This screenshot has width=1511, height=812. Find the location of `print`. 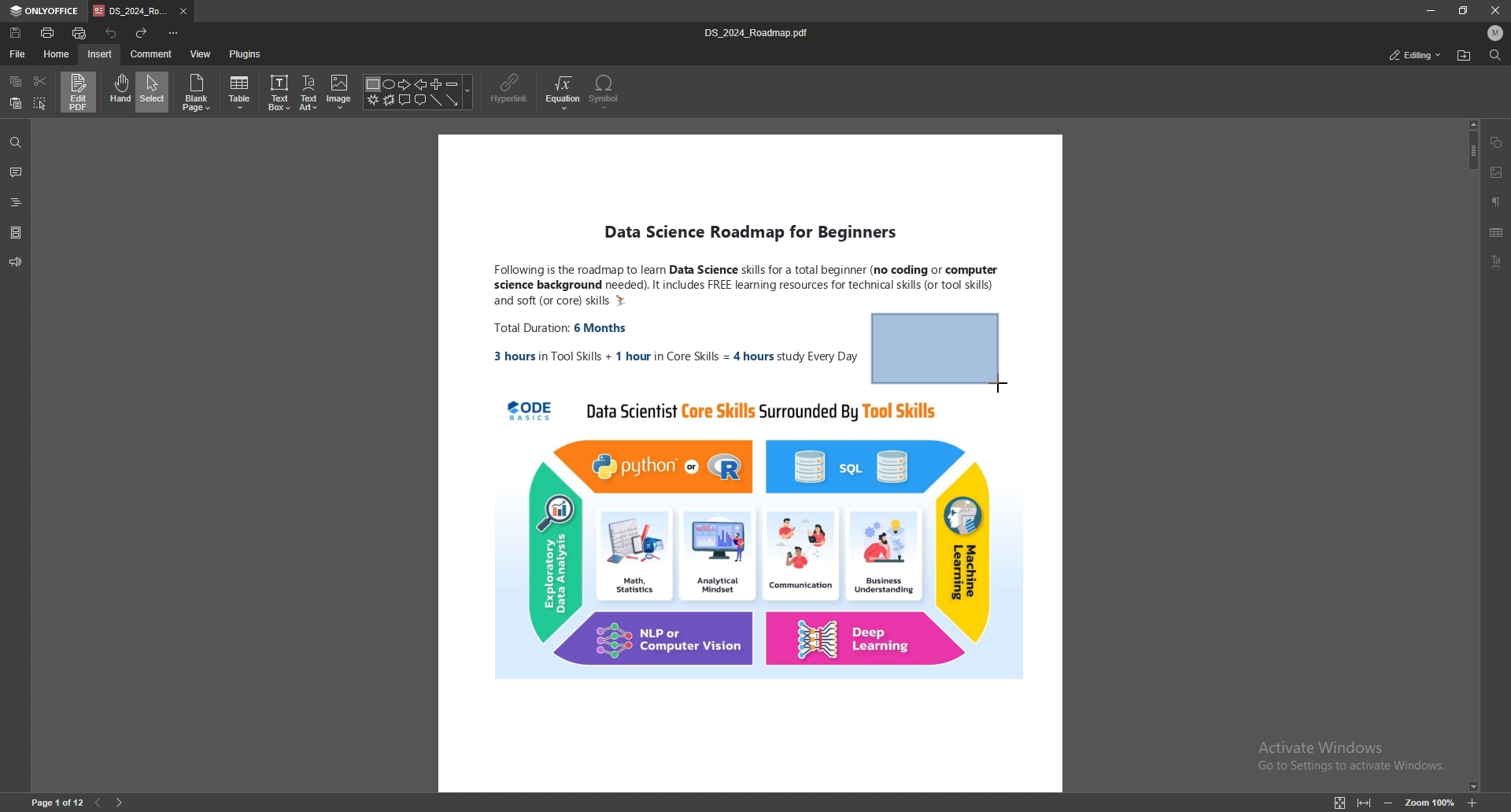

print is located at coordinates (48, 32).